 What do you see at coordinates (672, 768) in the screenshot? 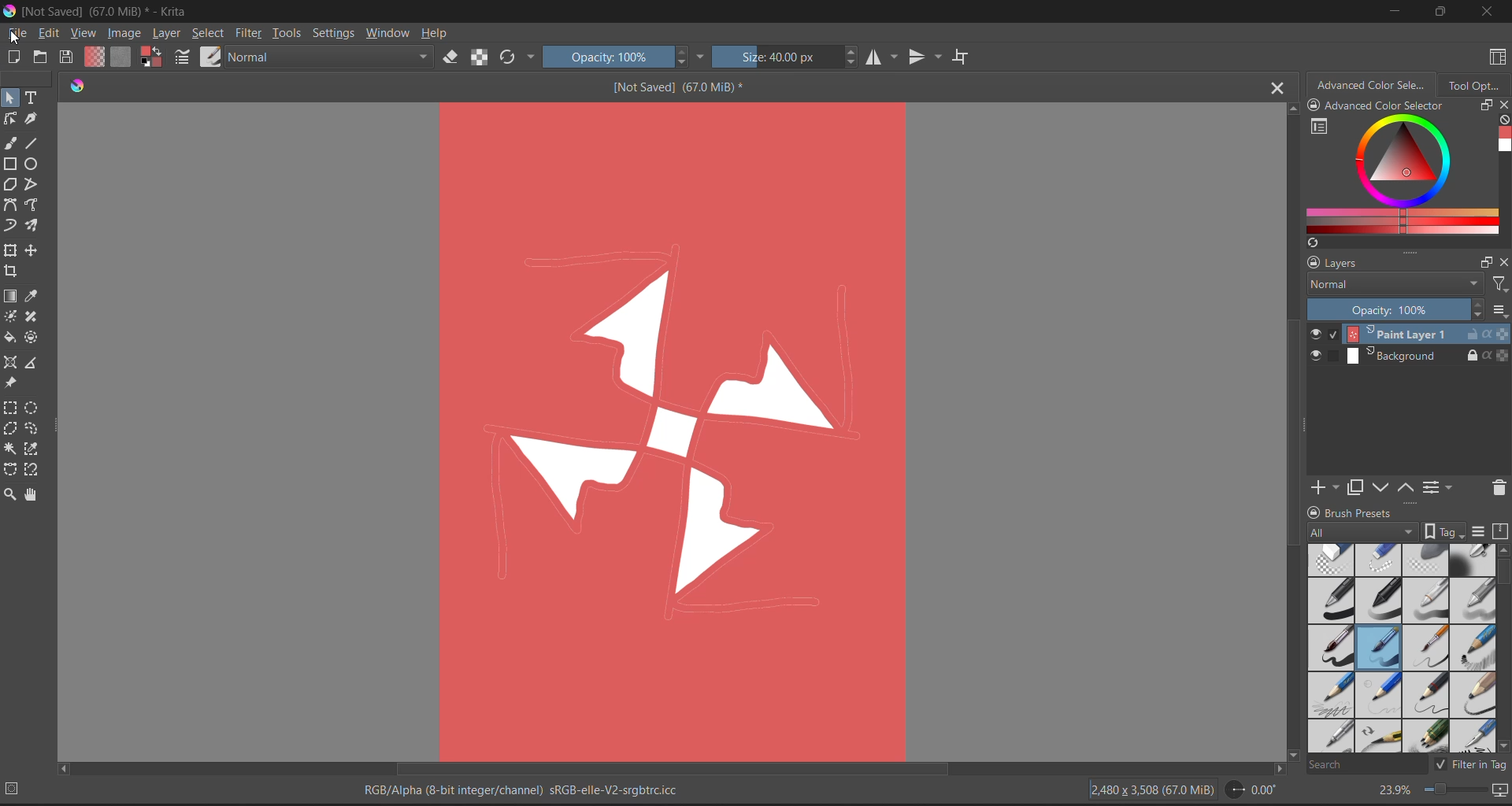
I see `horizontal scroll bar` at bounding box center [672, 768].